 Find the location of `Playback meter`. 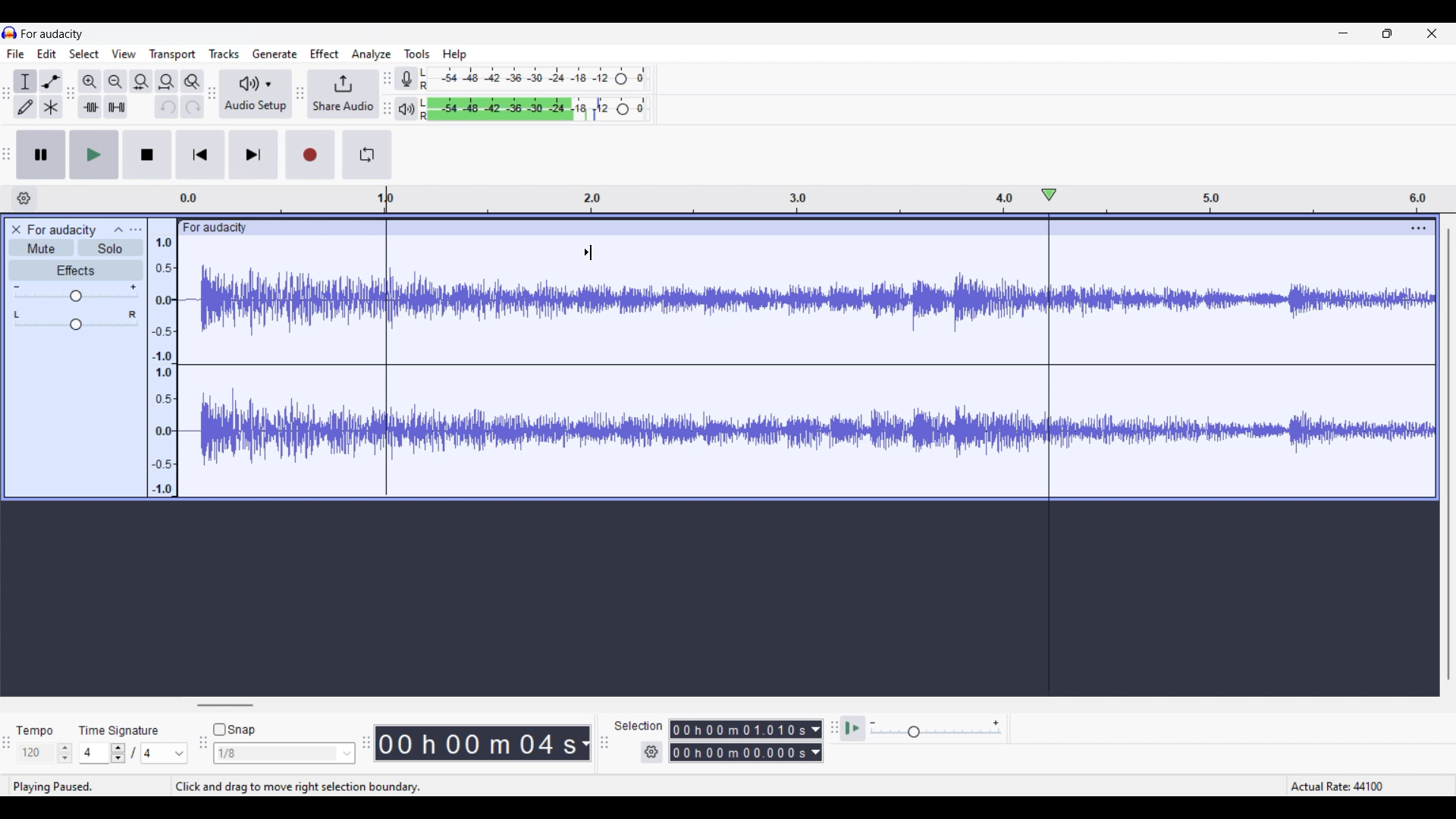

Playback meter is located at coordinates (405, 108).